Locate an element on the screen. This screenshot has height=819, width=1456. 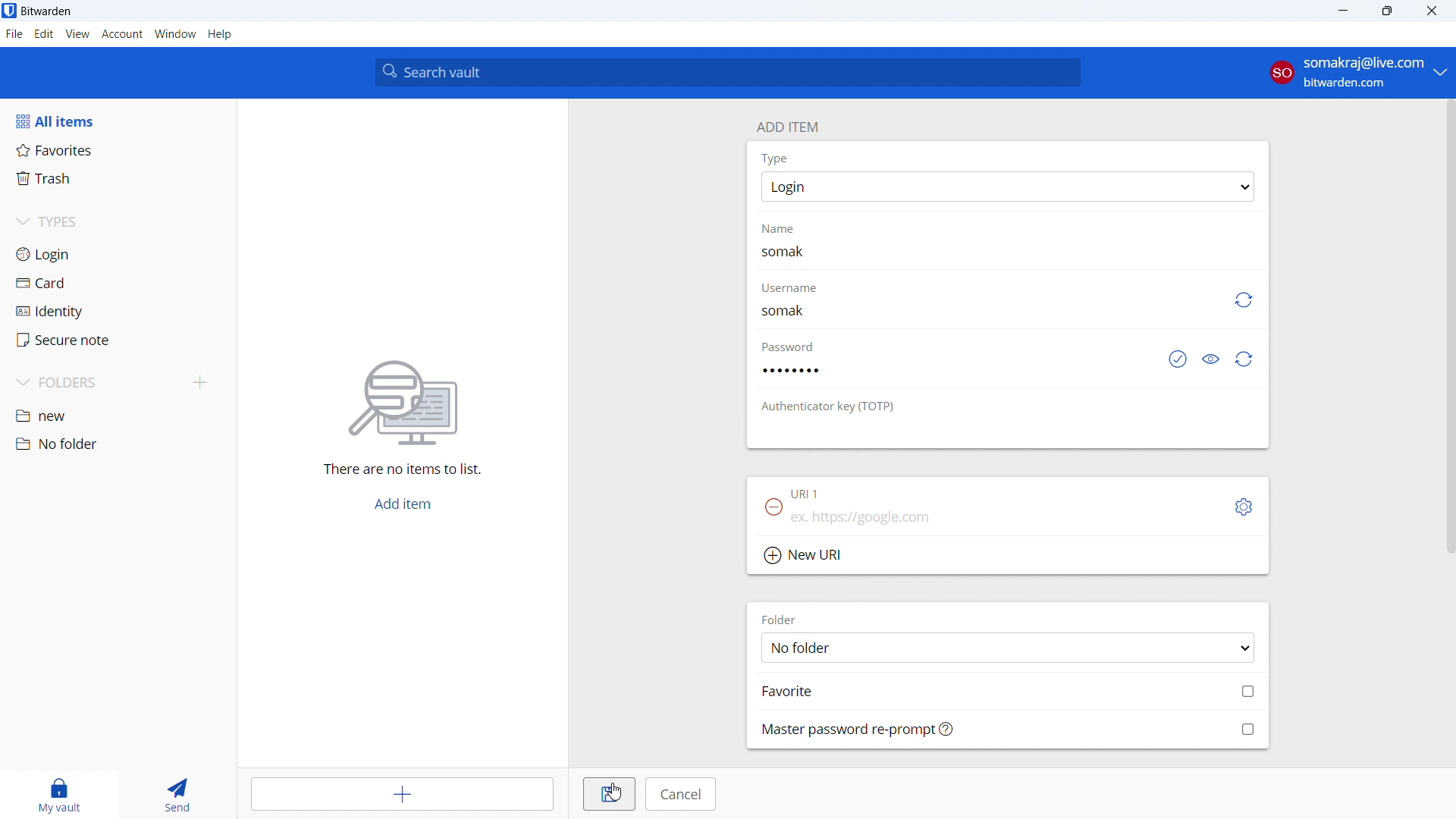
types is located at coordinates (117, 224).